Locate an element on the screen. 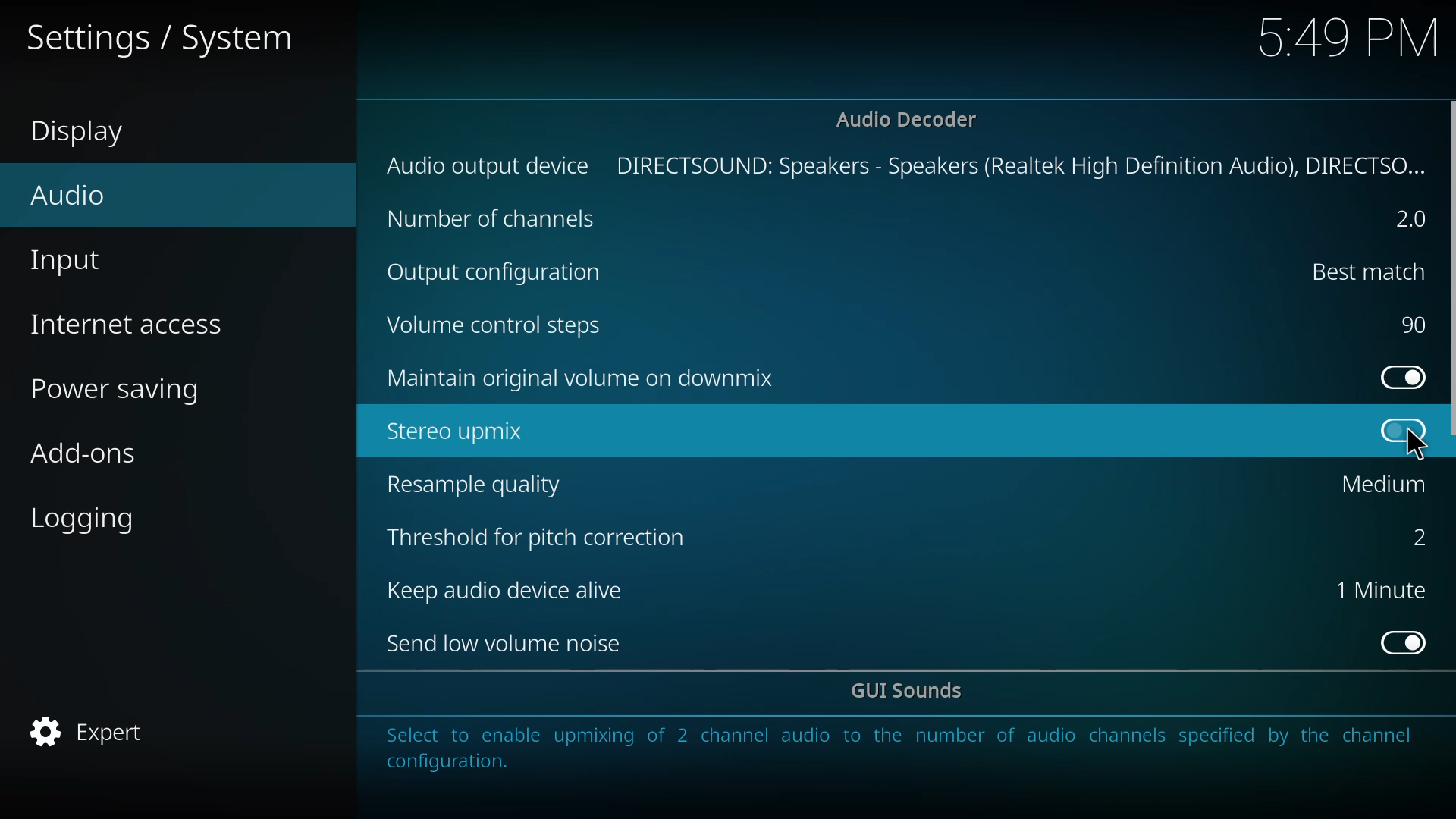  logging is located at coordinates (93, 518).